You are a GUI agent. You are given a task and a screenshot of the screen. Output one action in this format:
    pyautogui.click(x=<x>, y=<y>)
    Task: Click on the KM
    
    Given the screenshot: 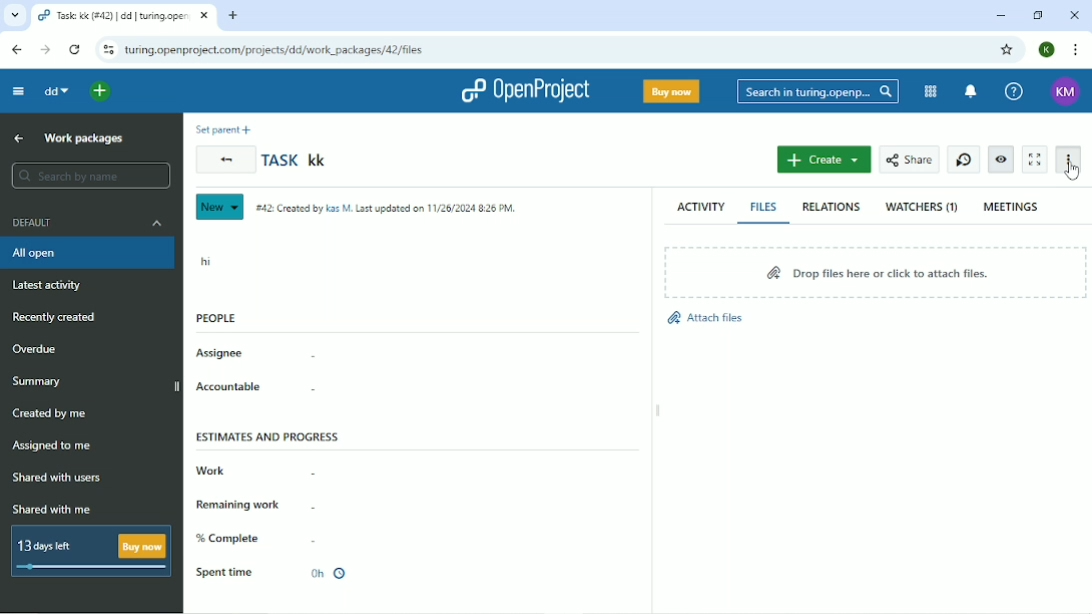 What is the action you would take?
    pyautogui.click(x=1064, y=92)
    